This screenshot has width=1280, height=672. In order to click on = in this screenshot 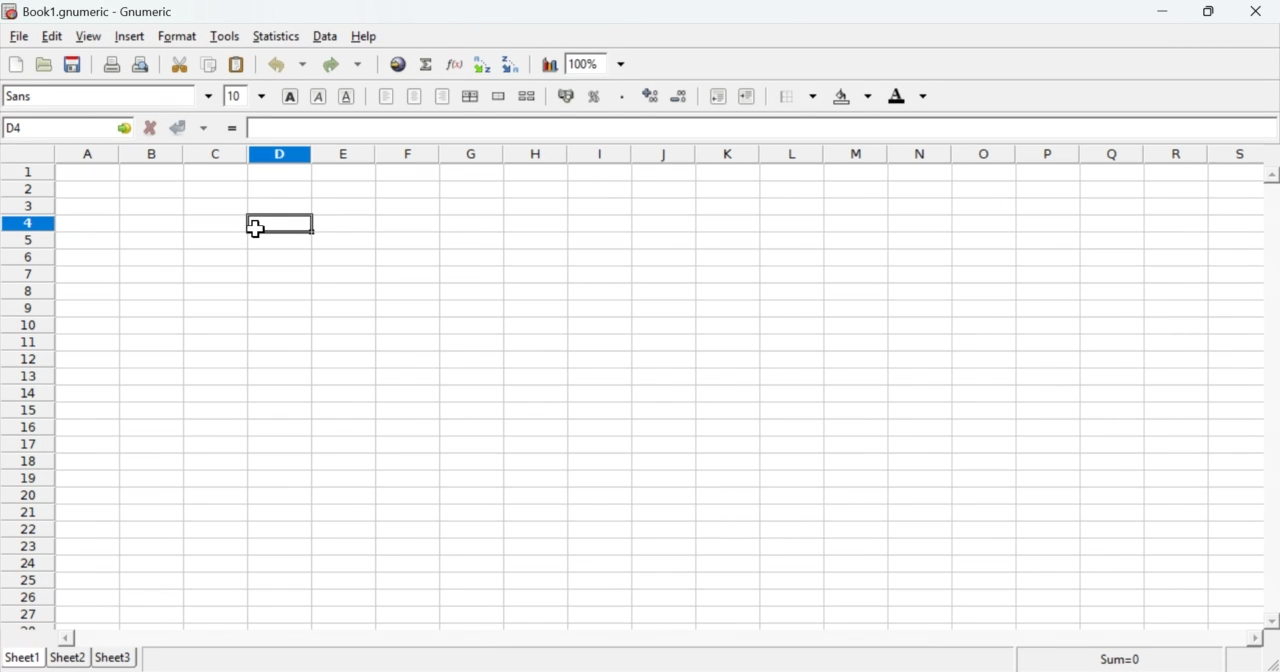, I will do `click(231, 130)`.